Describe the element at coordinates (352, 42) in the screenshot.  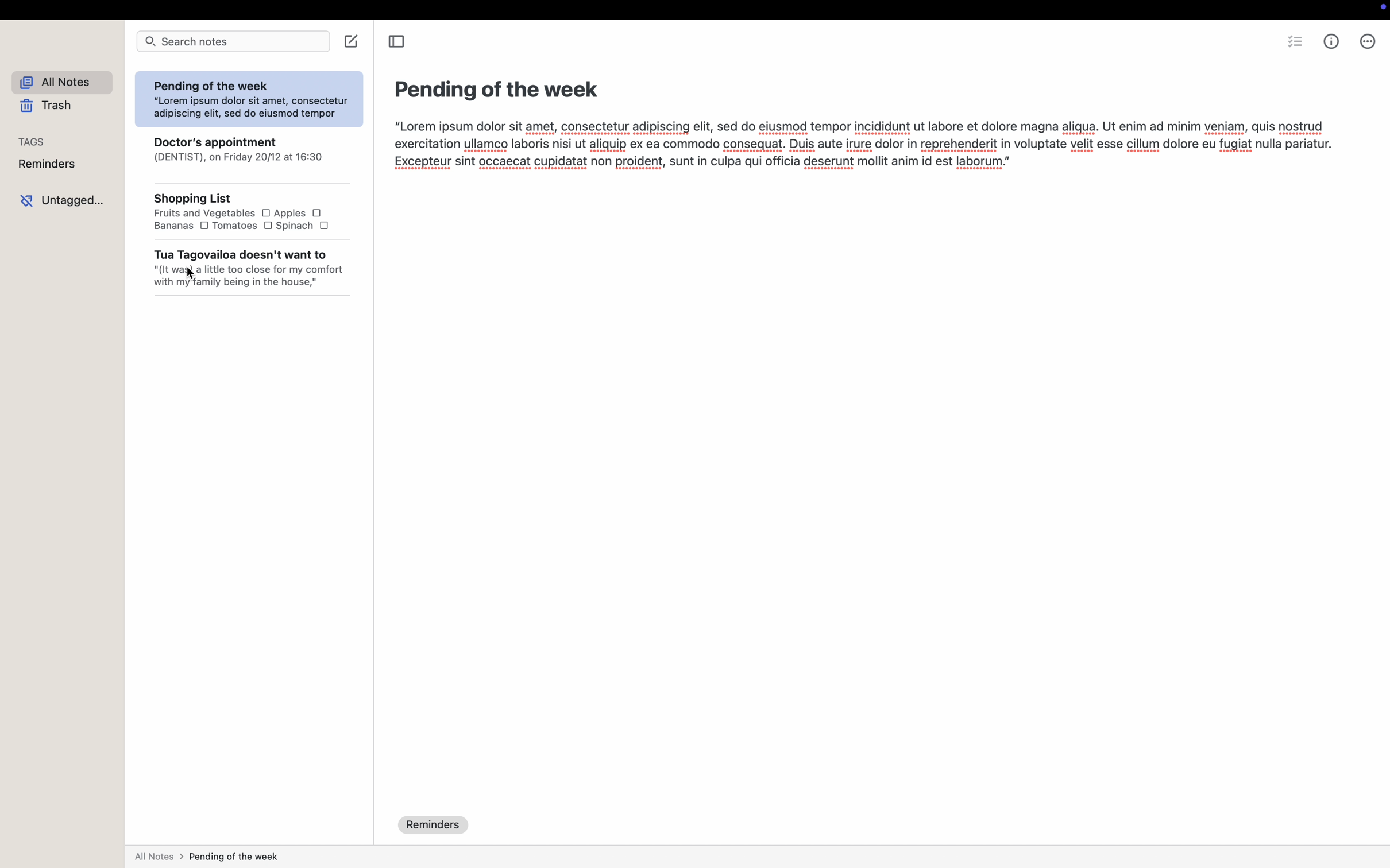
I see `create note` at that location.